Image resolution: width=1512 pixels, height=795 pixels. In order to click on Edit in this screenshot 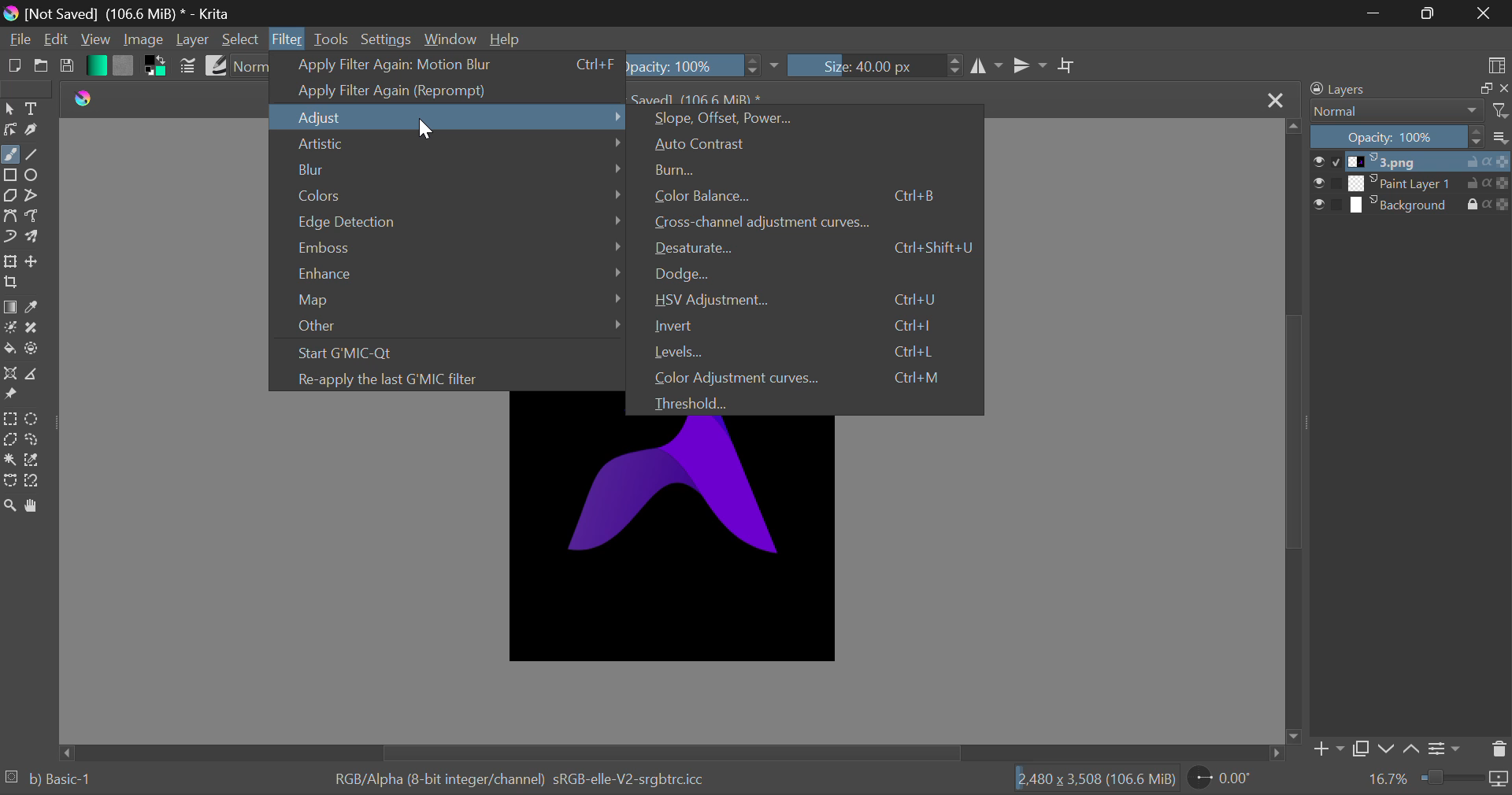, I will do `click(54, 41)`.